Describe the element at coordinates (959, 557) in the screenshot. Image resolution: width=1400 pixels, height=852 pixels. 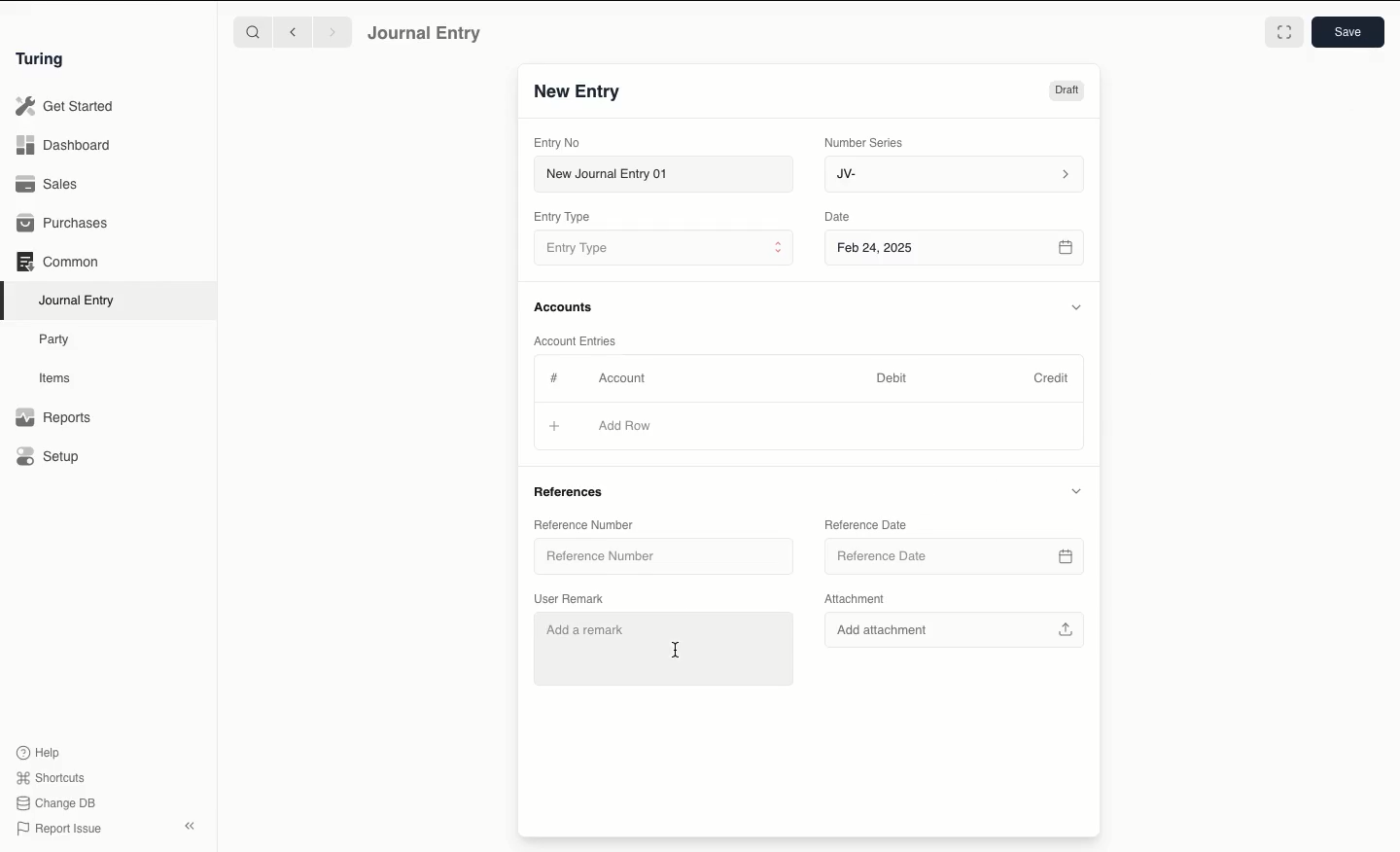
I see `Reference Date` at that location.